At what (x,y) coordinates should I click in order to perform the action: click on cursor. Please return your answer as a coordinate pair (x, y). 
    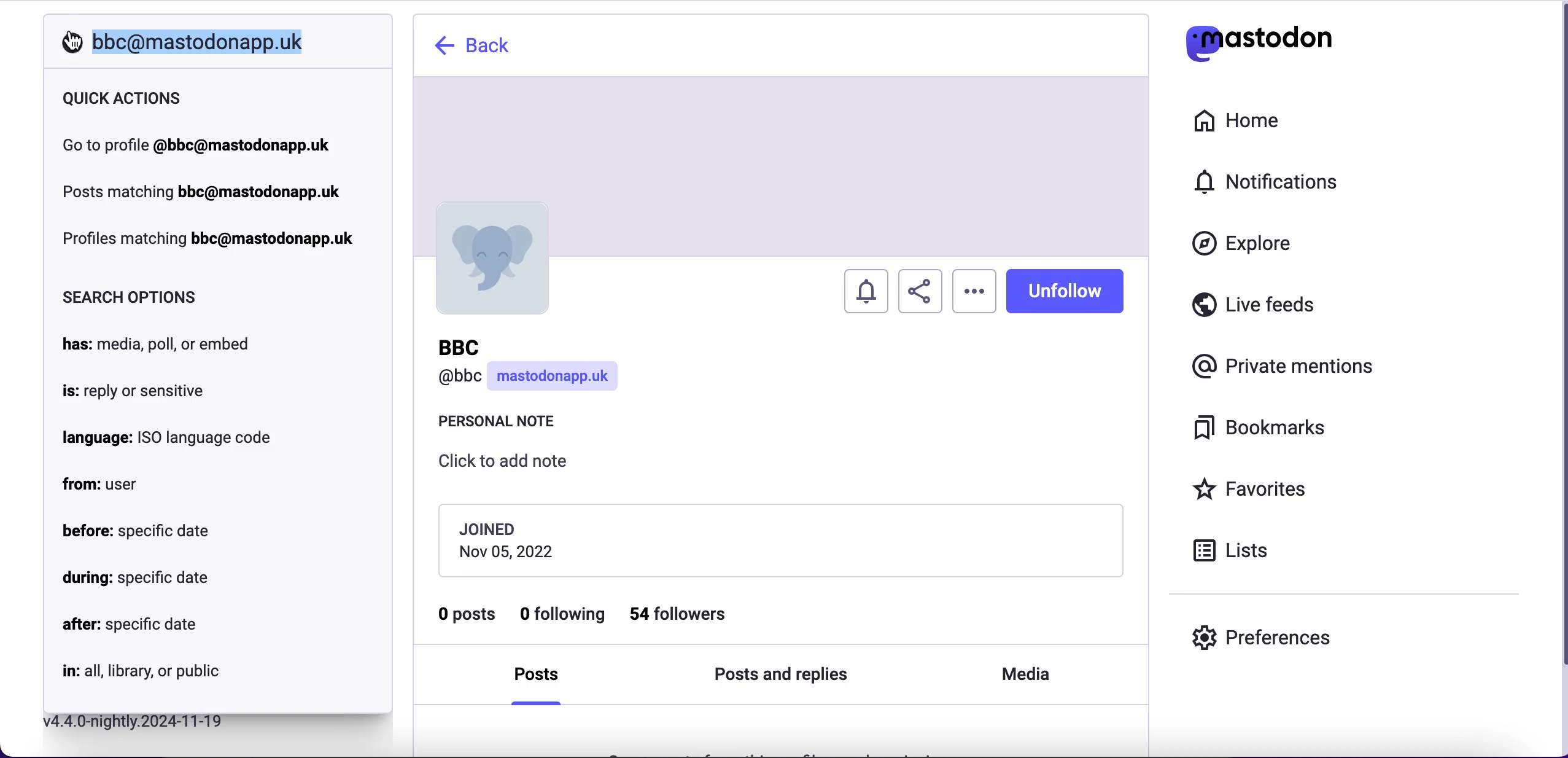
    Looking at the image, I should click on (67, 42).